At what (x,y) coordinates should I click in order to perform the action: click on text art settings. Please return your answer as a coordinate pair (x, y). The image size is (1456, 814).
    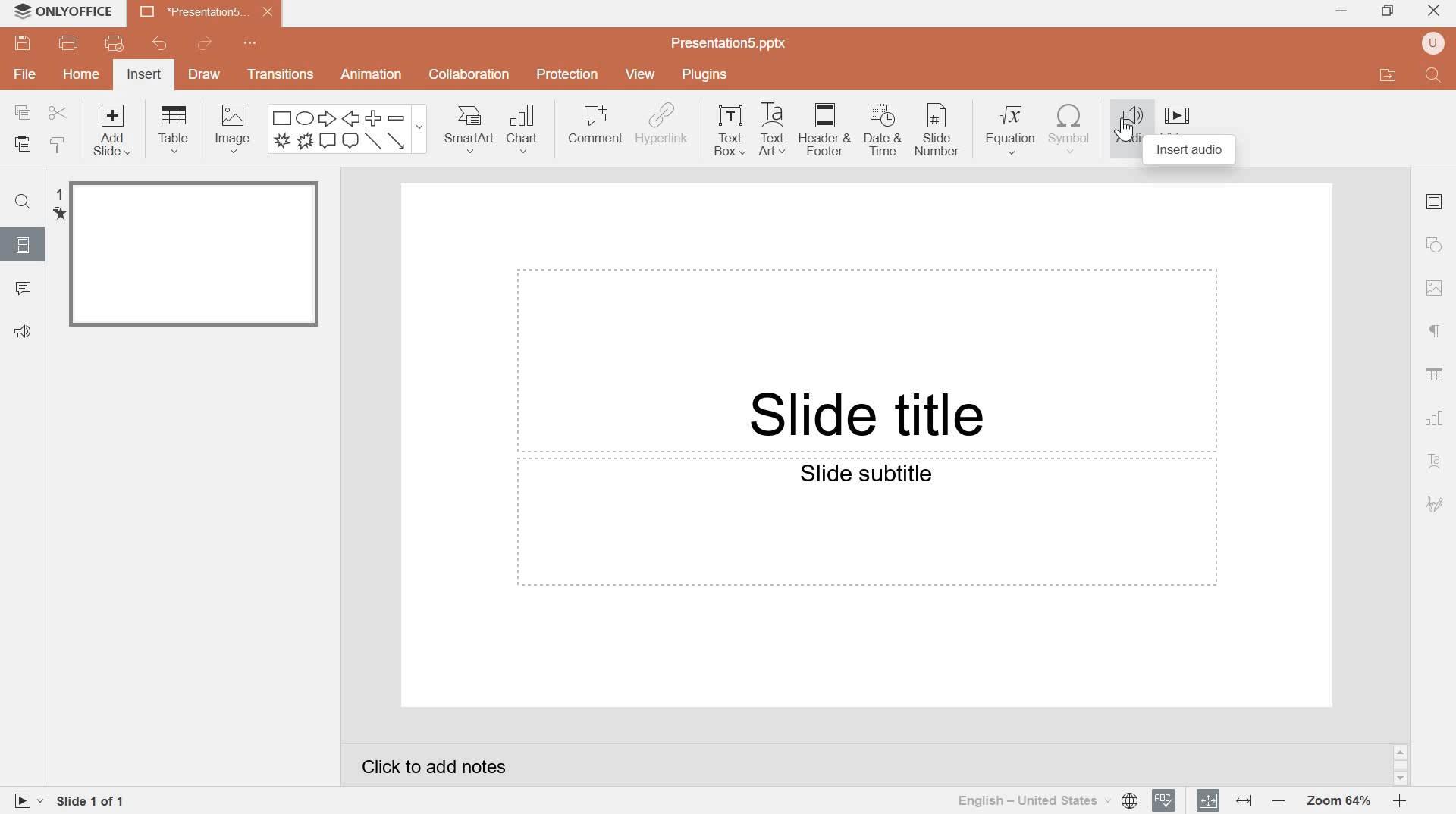
    Looking at the image, I should click on (1432, 462).